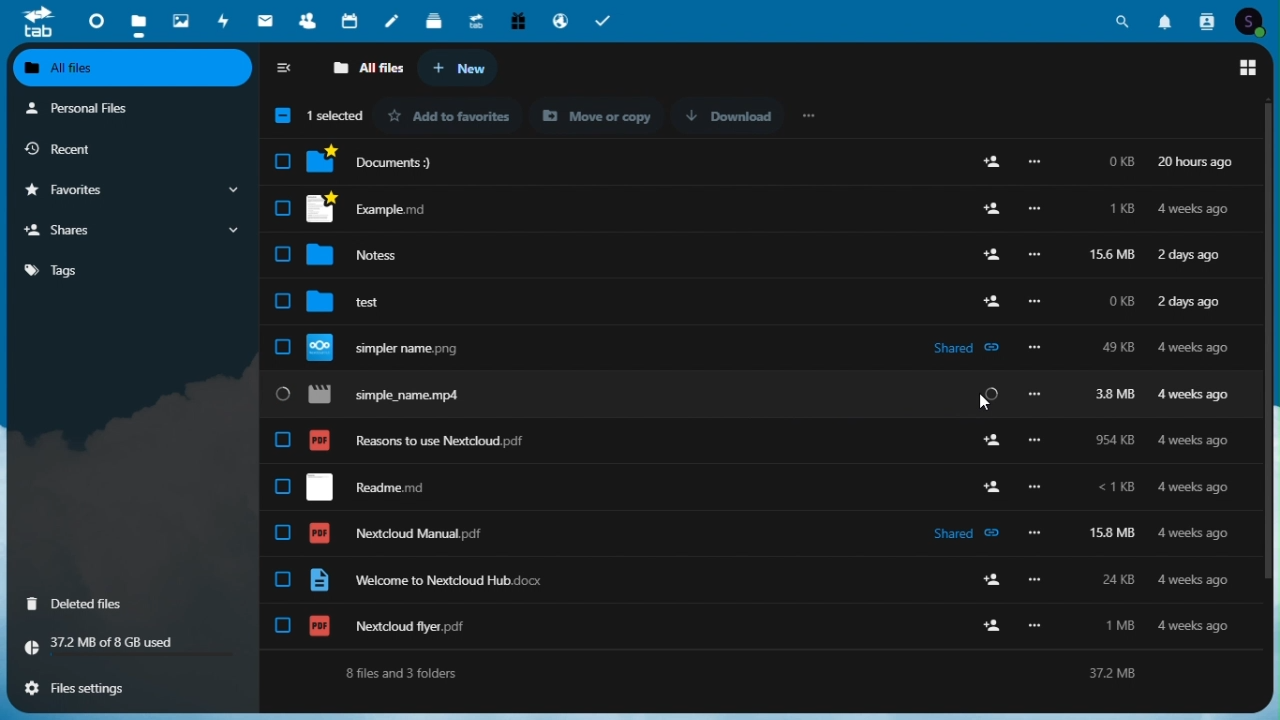  Describe the element at coordinates (1253, 22) in the screenshot. I see `Account icon` at that location.